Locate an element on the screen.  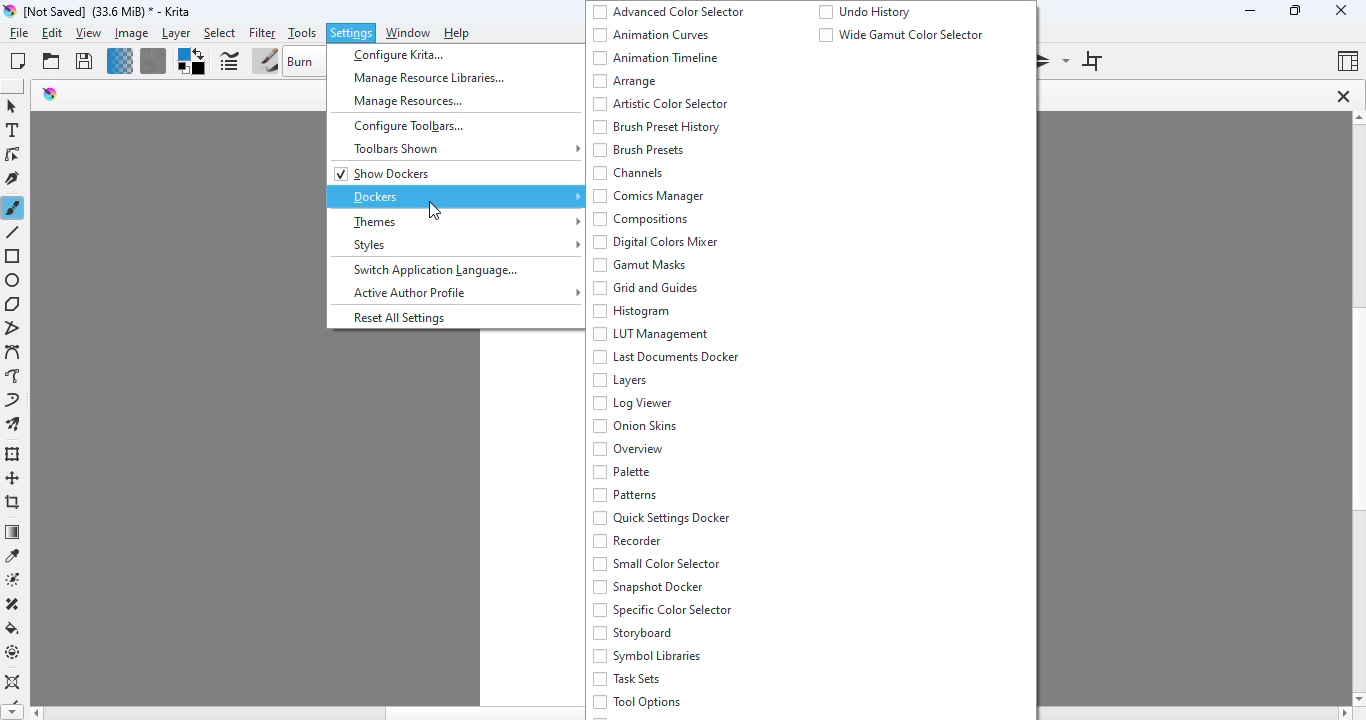
text tool is located at coordinates (12, 130).